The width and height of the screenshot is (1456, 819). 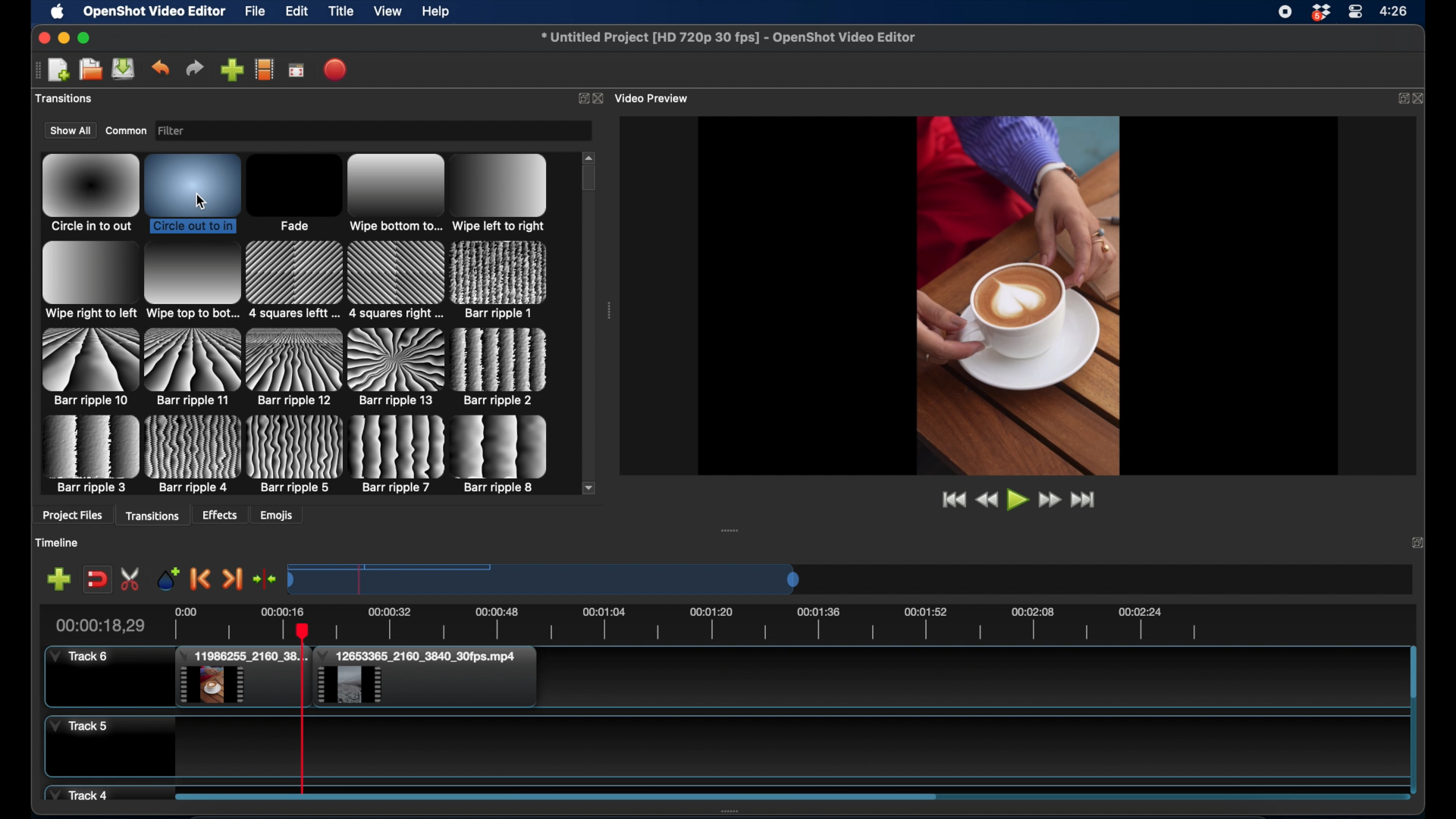 What do you see at coordinates (1049, 500) in the screenshot?
I see `fast forward` at bounding box center [1049, 500].